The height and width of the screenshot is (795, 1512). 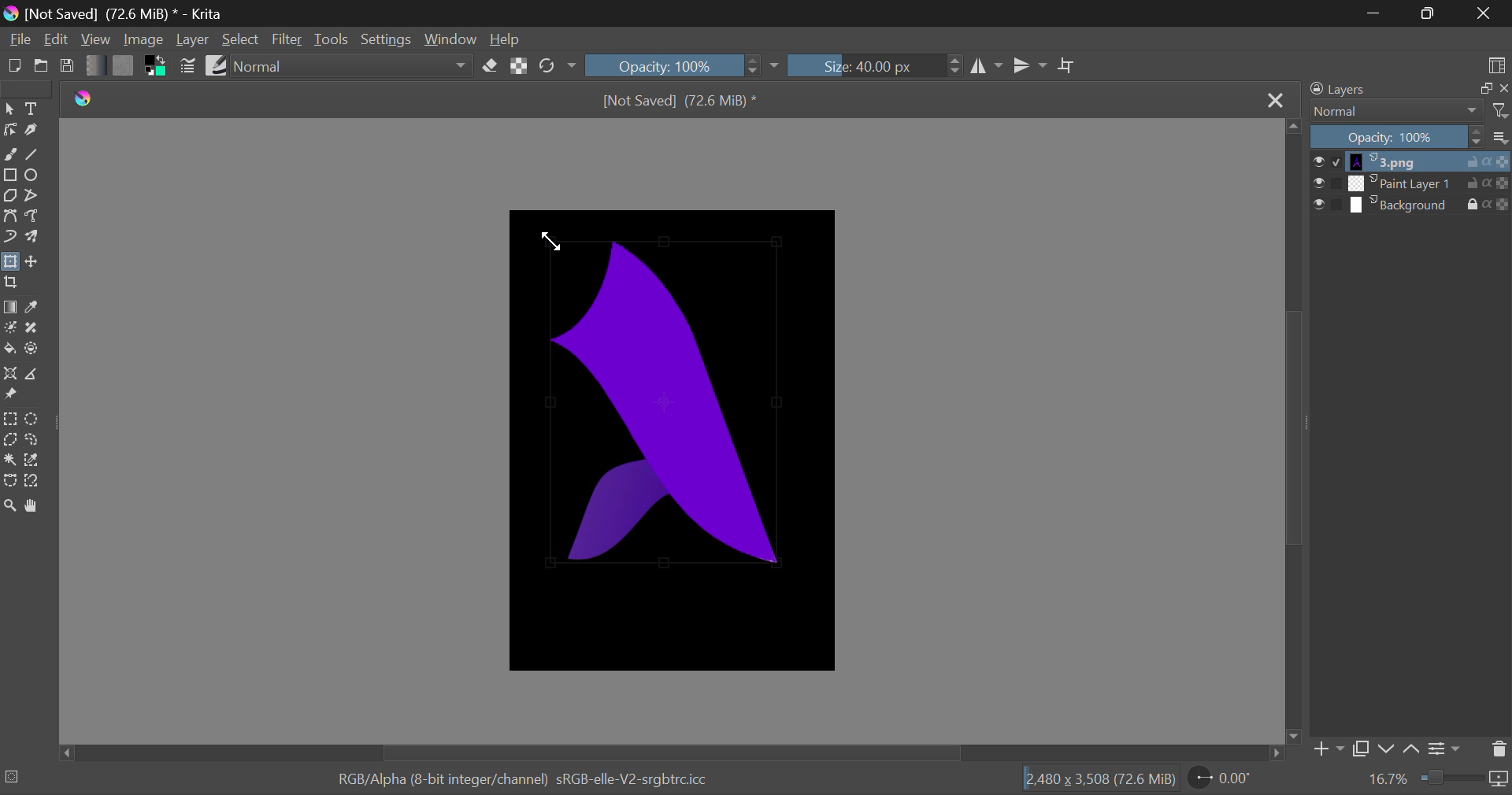 I want to click on Colorize Mask Tool, so click(x=11, y=329).